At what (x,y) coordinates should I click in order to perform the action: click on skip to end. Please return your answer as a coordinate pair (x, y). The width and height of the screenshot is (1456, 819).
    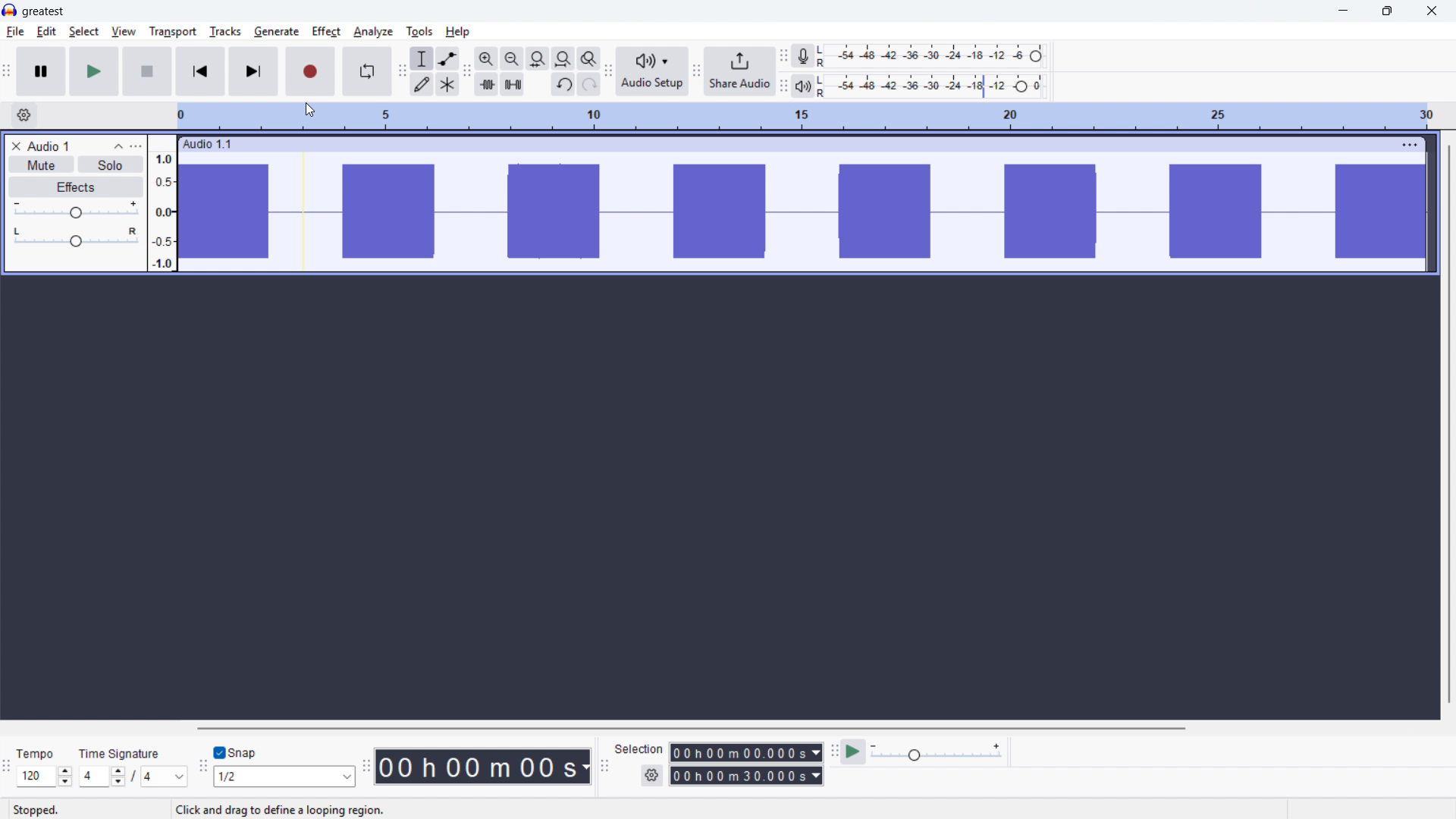
    Looking at the image, I should click on (255, 71).